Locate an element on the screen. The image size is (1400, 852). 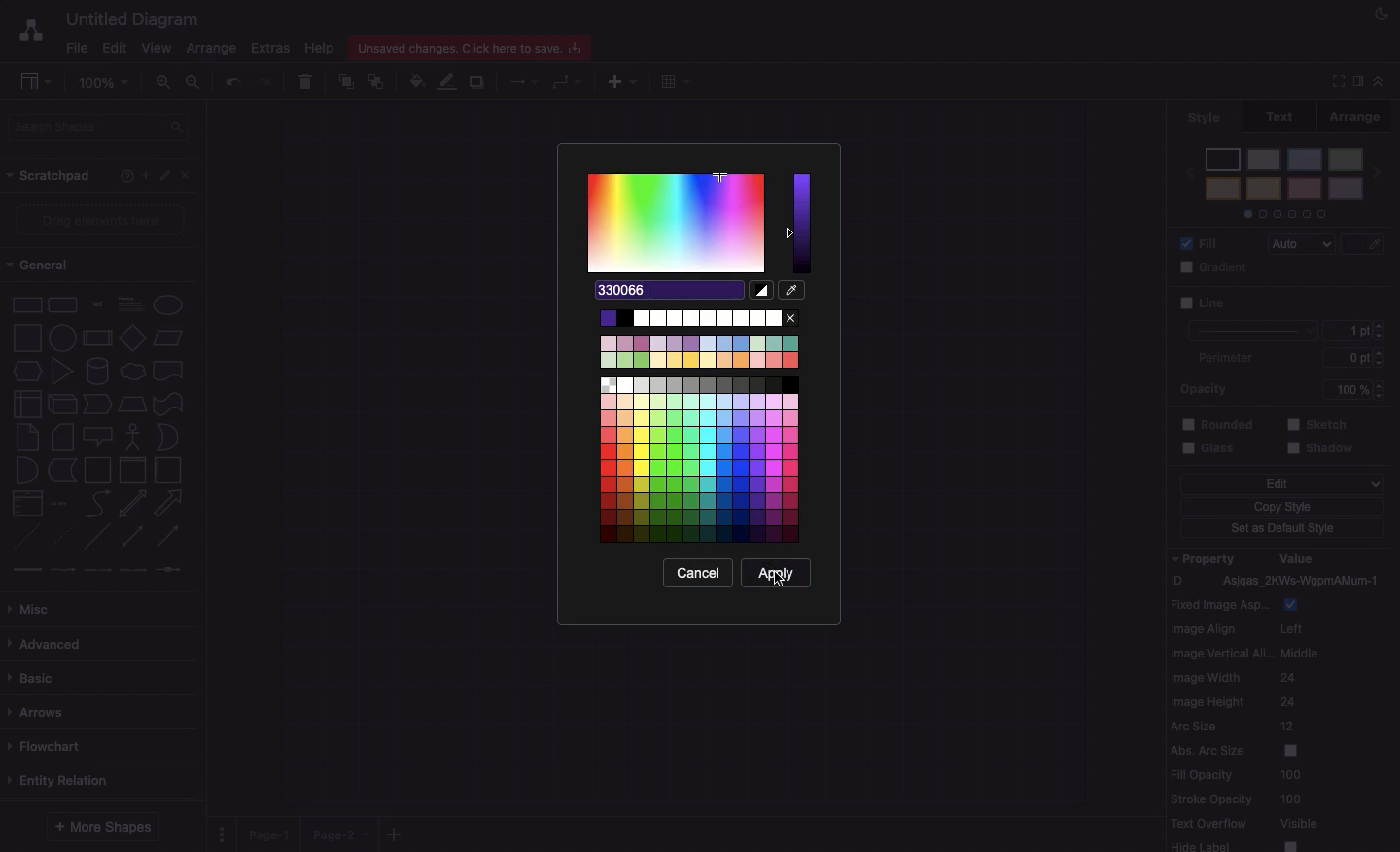
tape is located at coordinates (166, 404).